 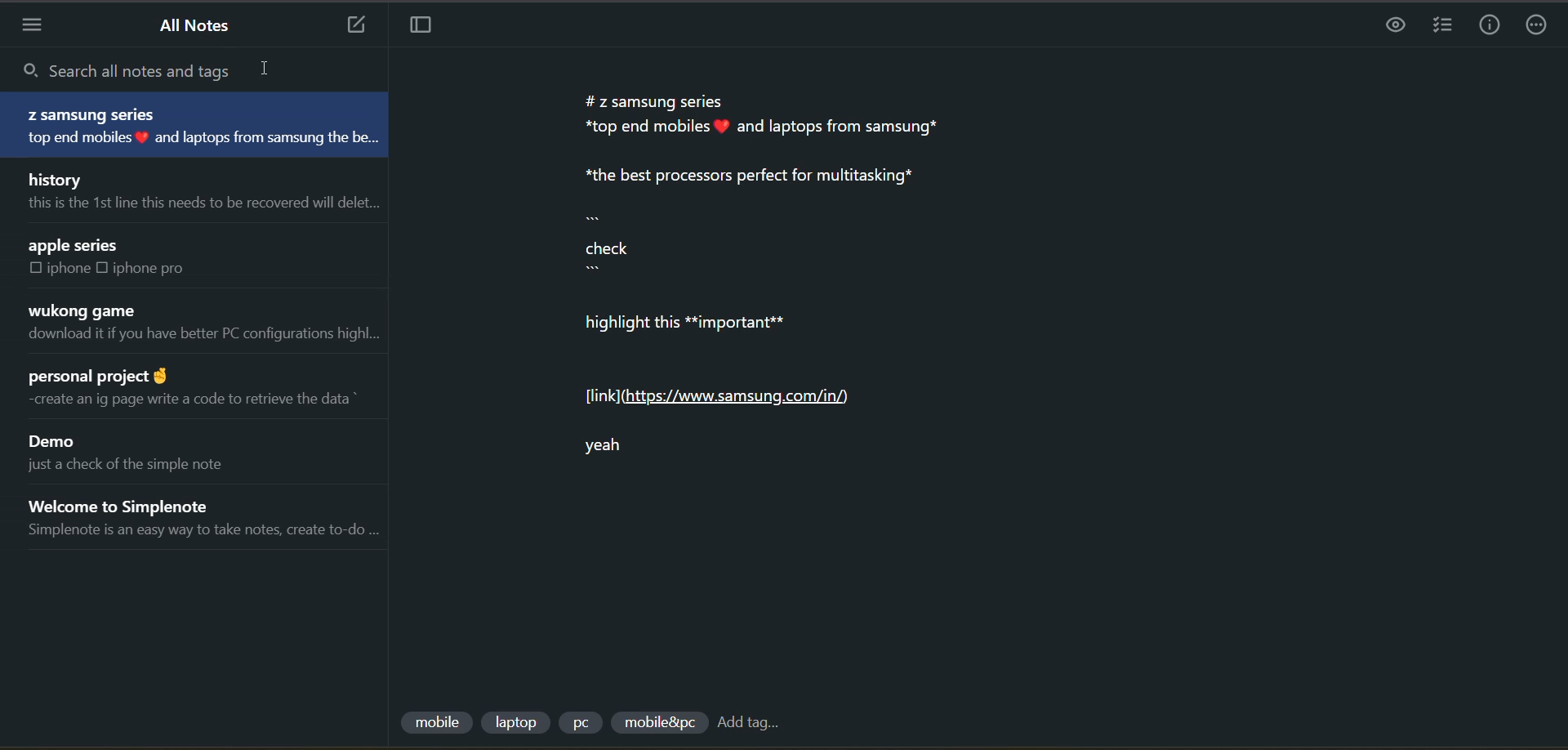 What do you see at coordinates (102, 267) in the screenshot?
I see `checkbox` at bounding box center [102, 267].